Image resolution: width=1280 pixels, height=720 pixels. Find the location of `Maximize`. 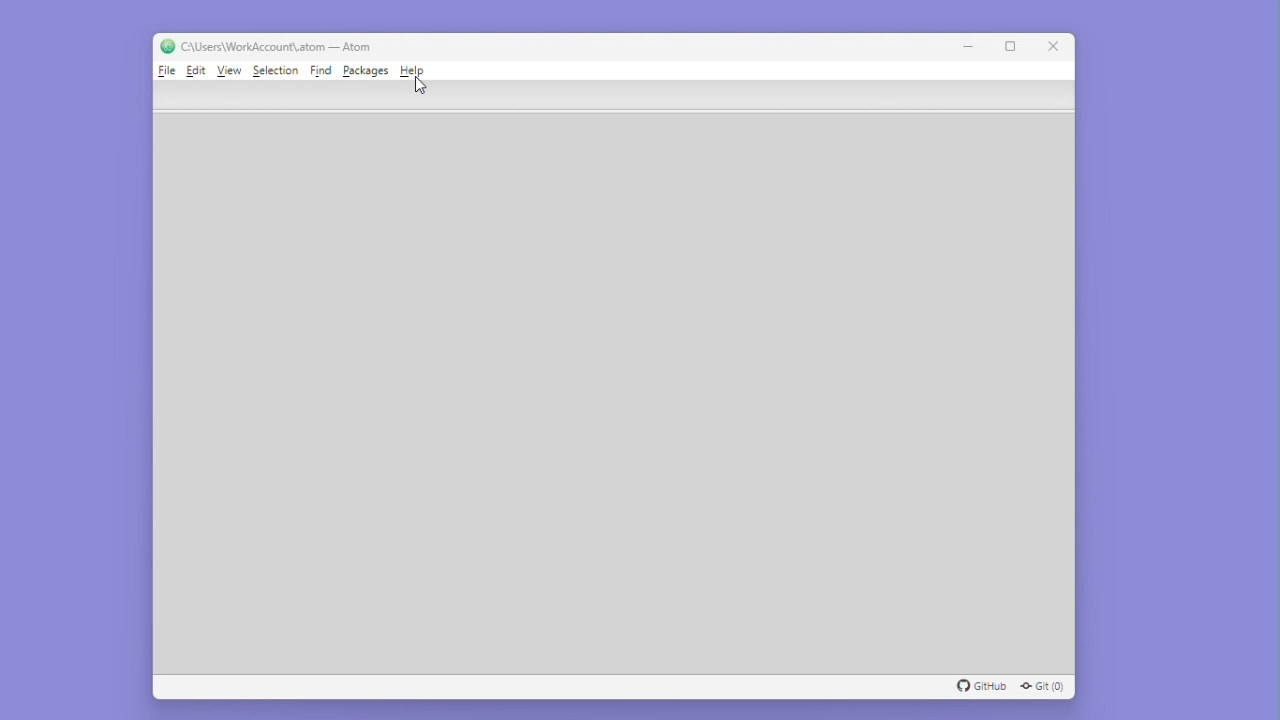

Maximize is located at coordinates (1010, 46).